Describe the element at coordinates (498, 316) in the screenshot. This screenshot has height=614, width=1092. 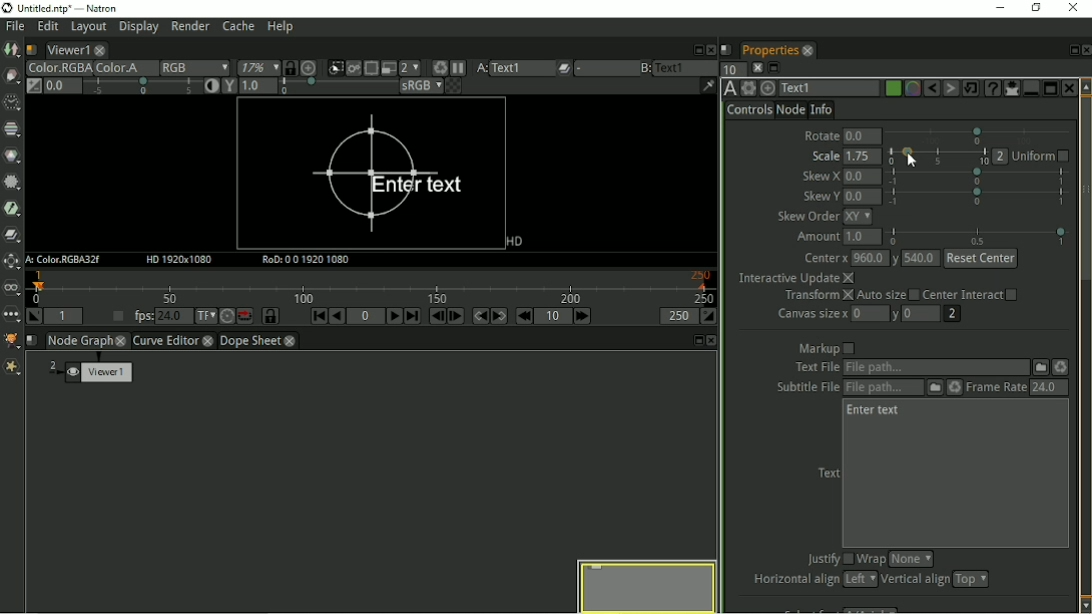
I see `Next keyframe` at that location.